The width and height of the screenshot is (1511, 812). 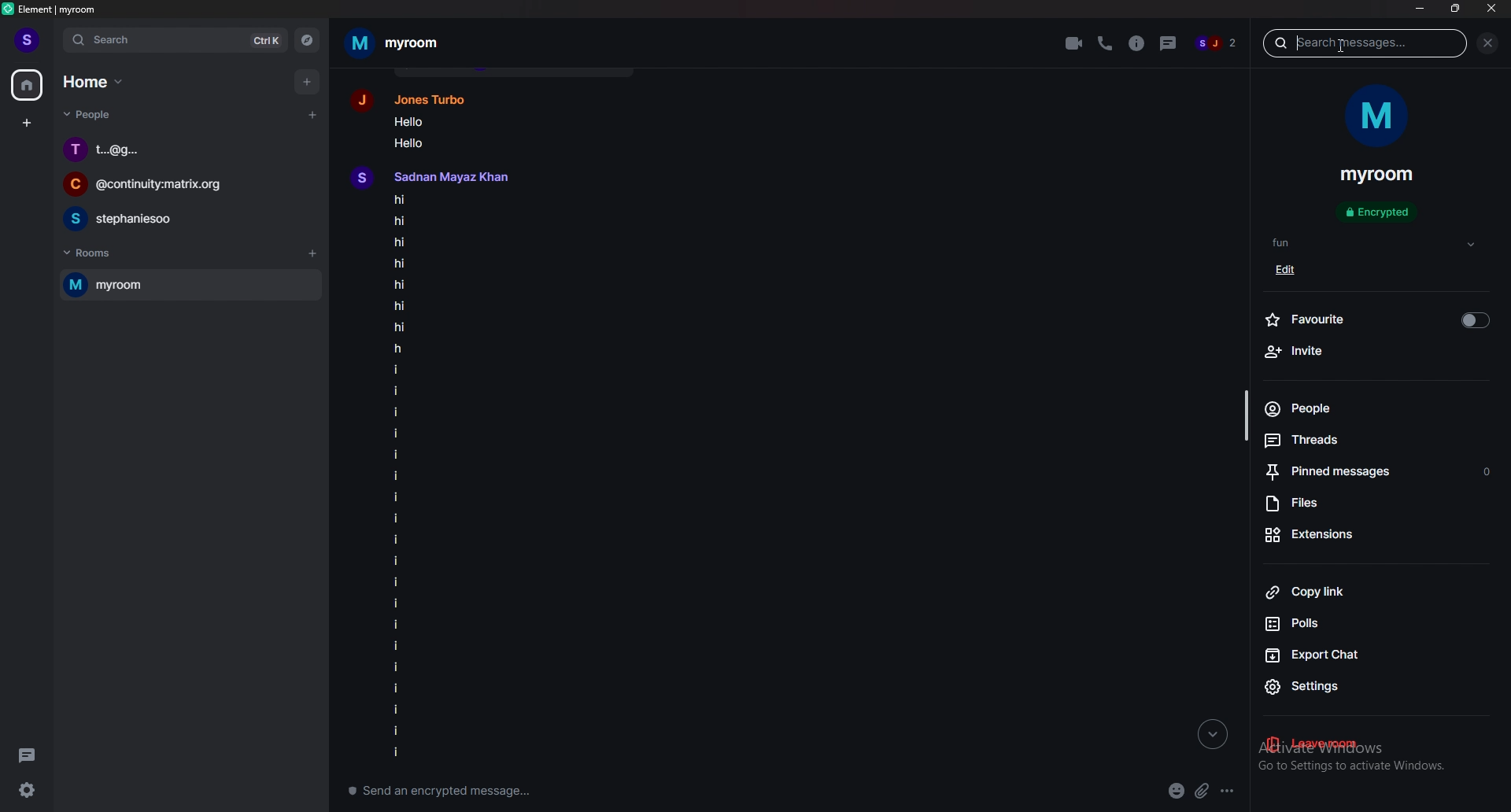 What do you see at coordinates (1163, 43) in the screenshot?
I see `threads` at bounding box center [1163, 43].